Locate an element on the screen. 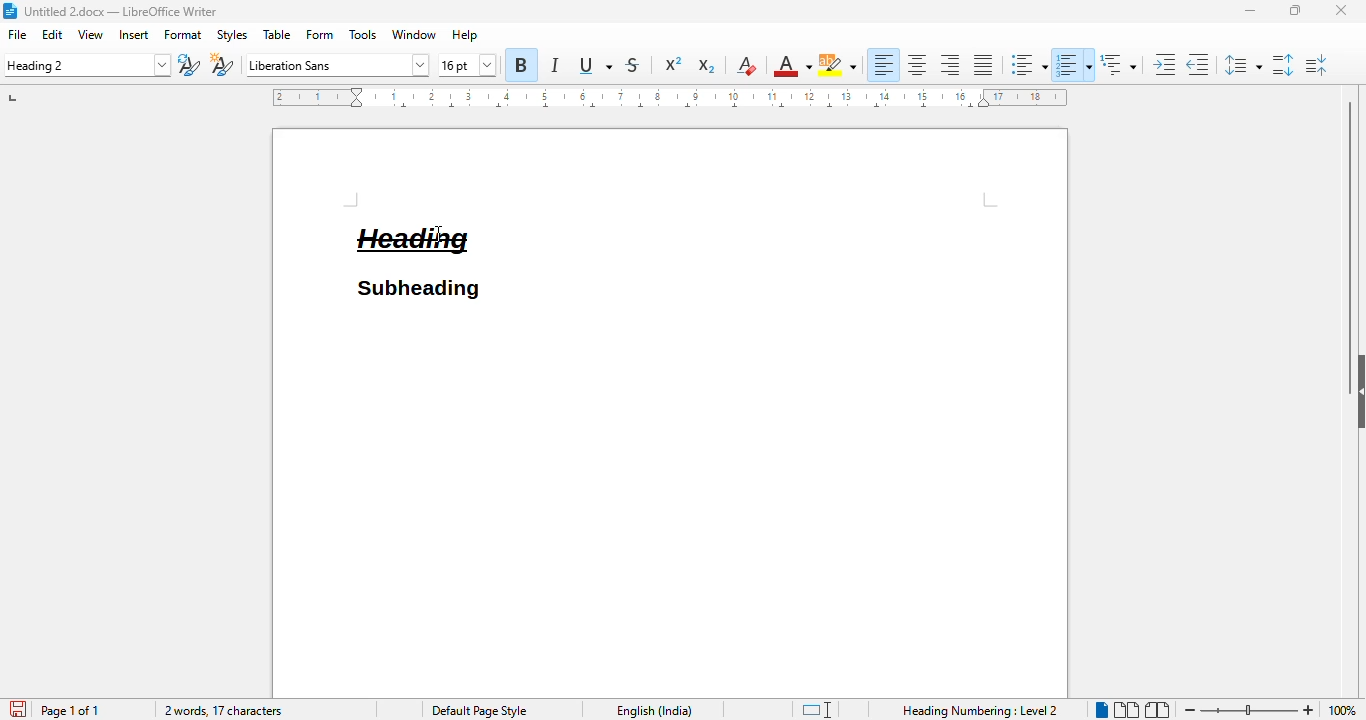  strikethrough is located at coordinates (633, 64).